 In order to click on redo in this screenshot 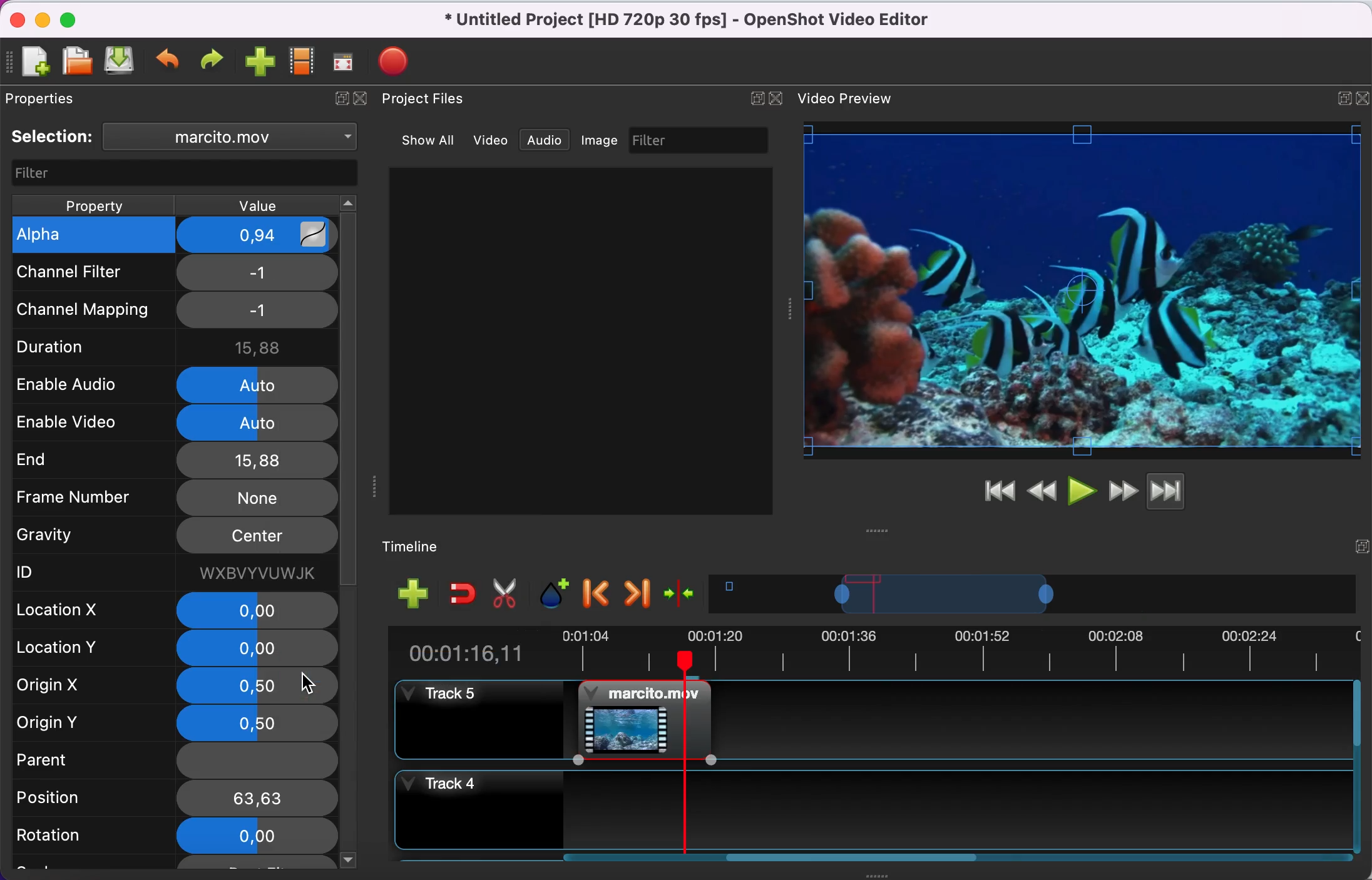, I will do `click(215, 61)`.